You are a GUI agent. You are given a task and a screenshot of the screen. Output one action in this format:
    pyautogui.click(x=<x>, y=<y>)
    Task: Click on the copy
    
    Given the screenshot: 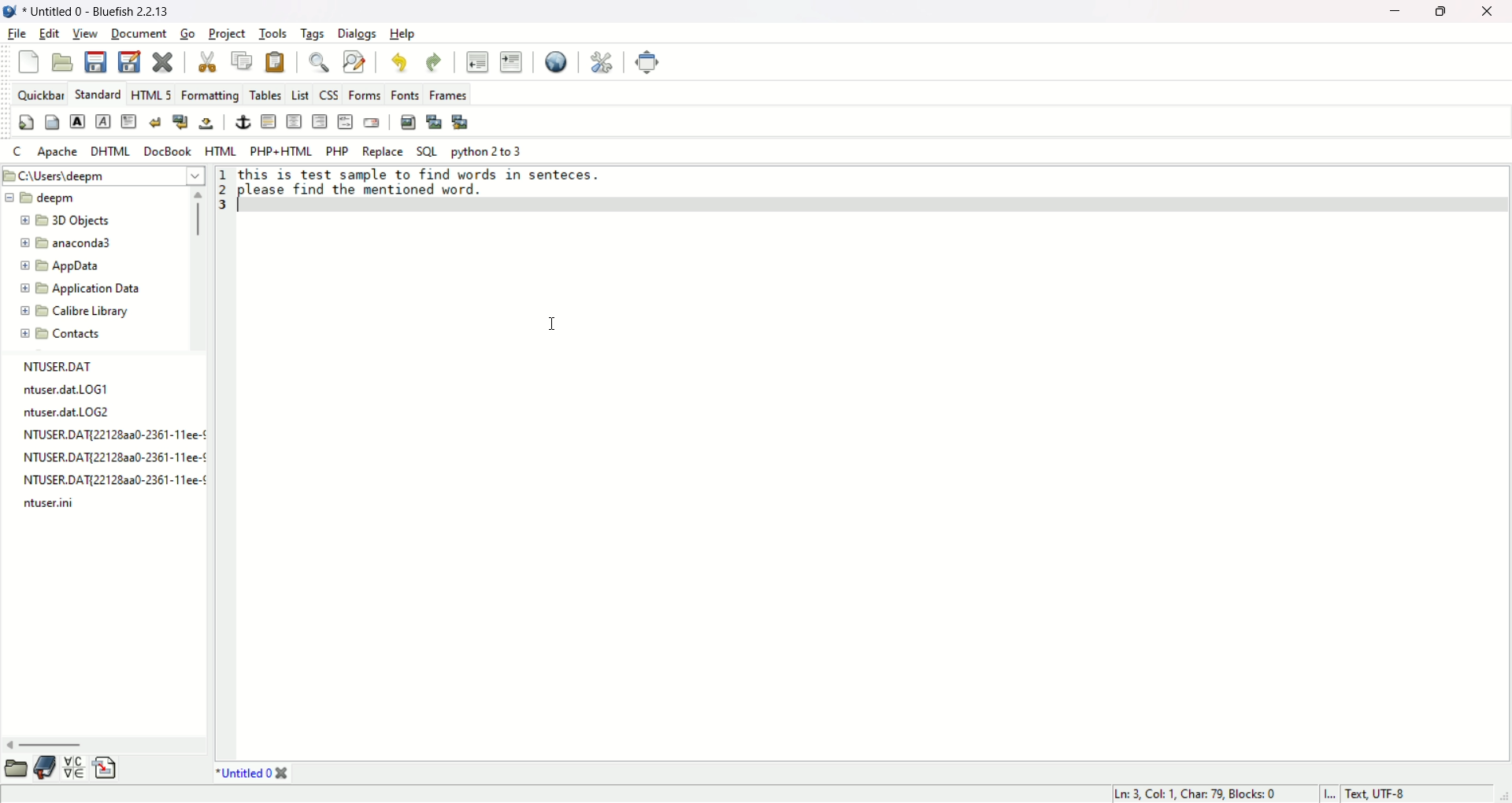 What is the action you would take?
    pyautogui.click(x=243, y=60)
    